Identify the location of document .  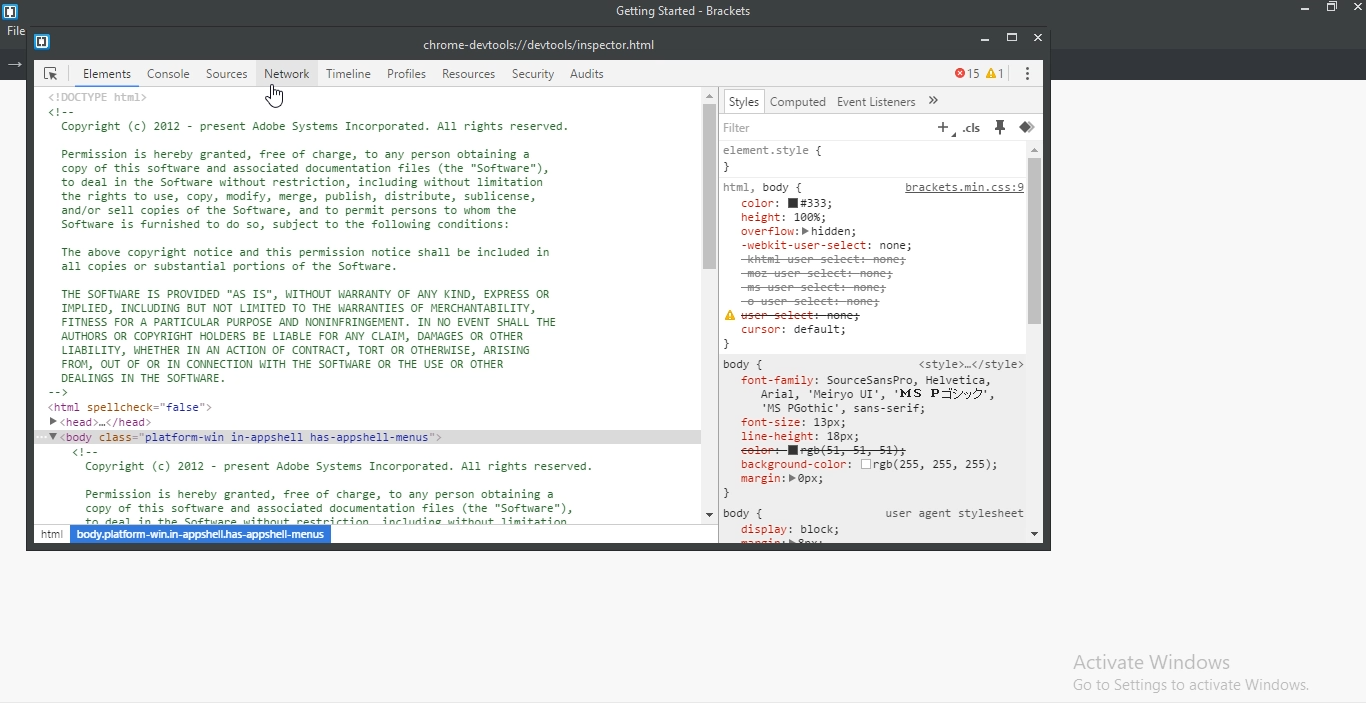
(361, 308).